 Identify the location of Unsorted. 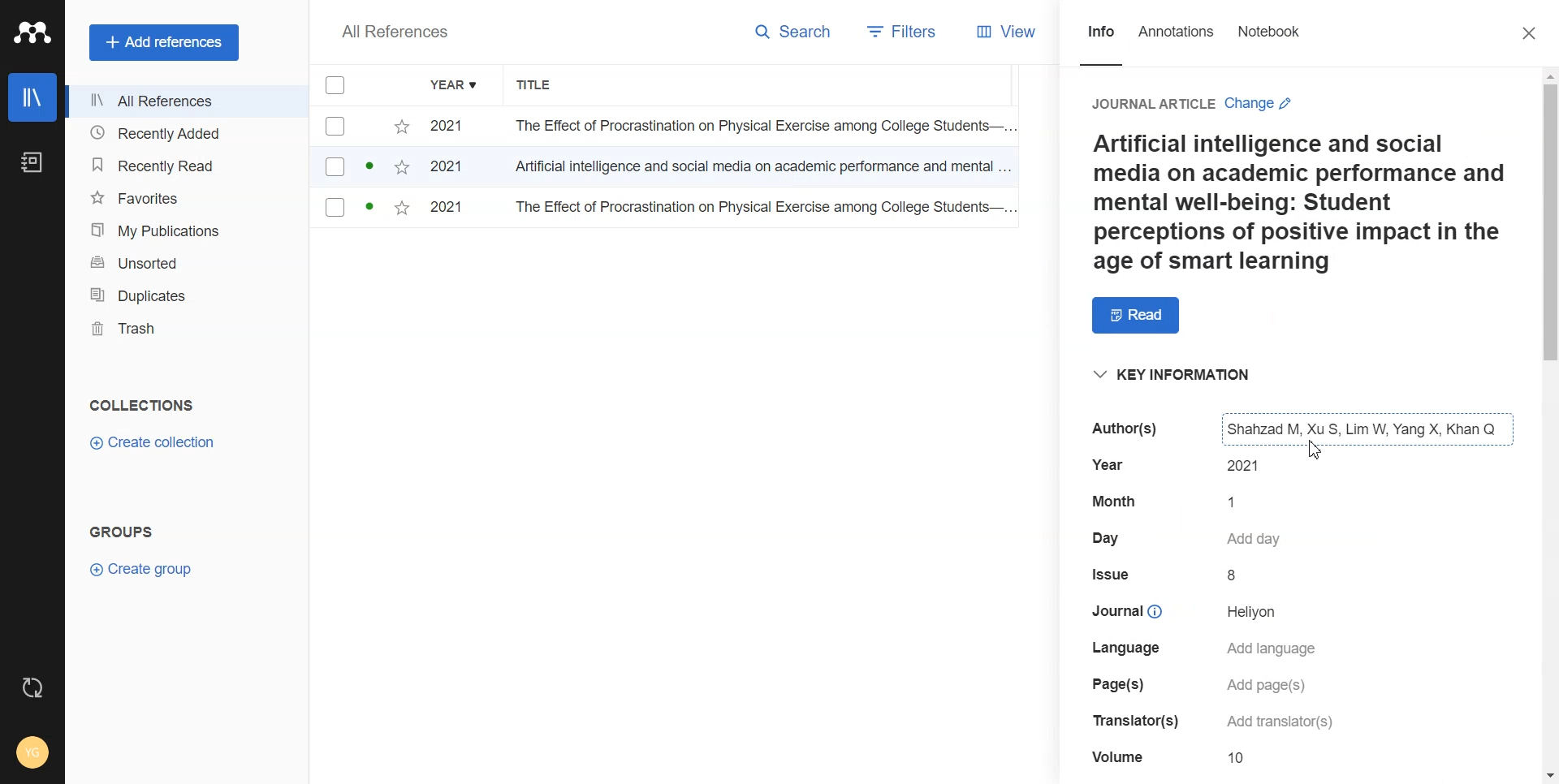
(185, 261).